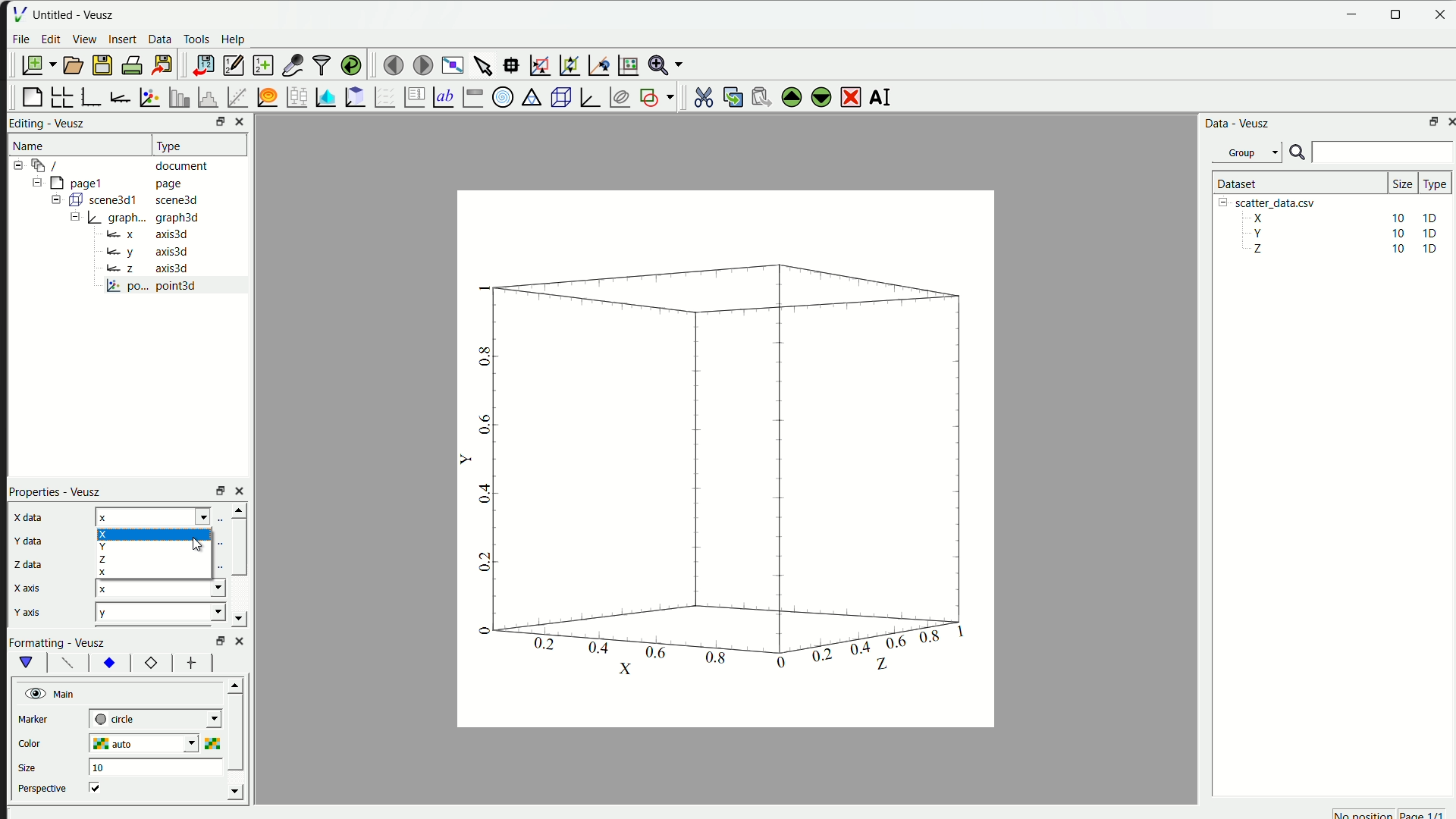 This screenshot has width=1456, height=819. What do you see at coordinates (27, 663) in the screenshot?
I see `vShape` at bounding box center [27, 663].